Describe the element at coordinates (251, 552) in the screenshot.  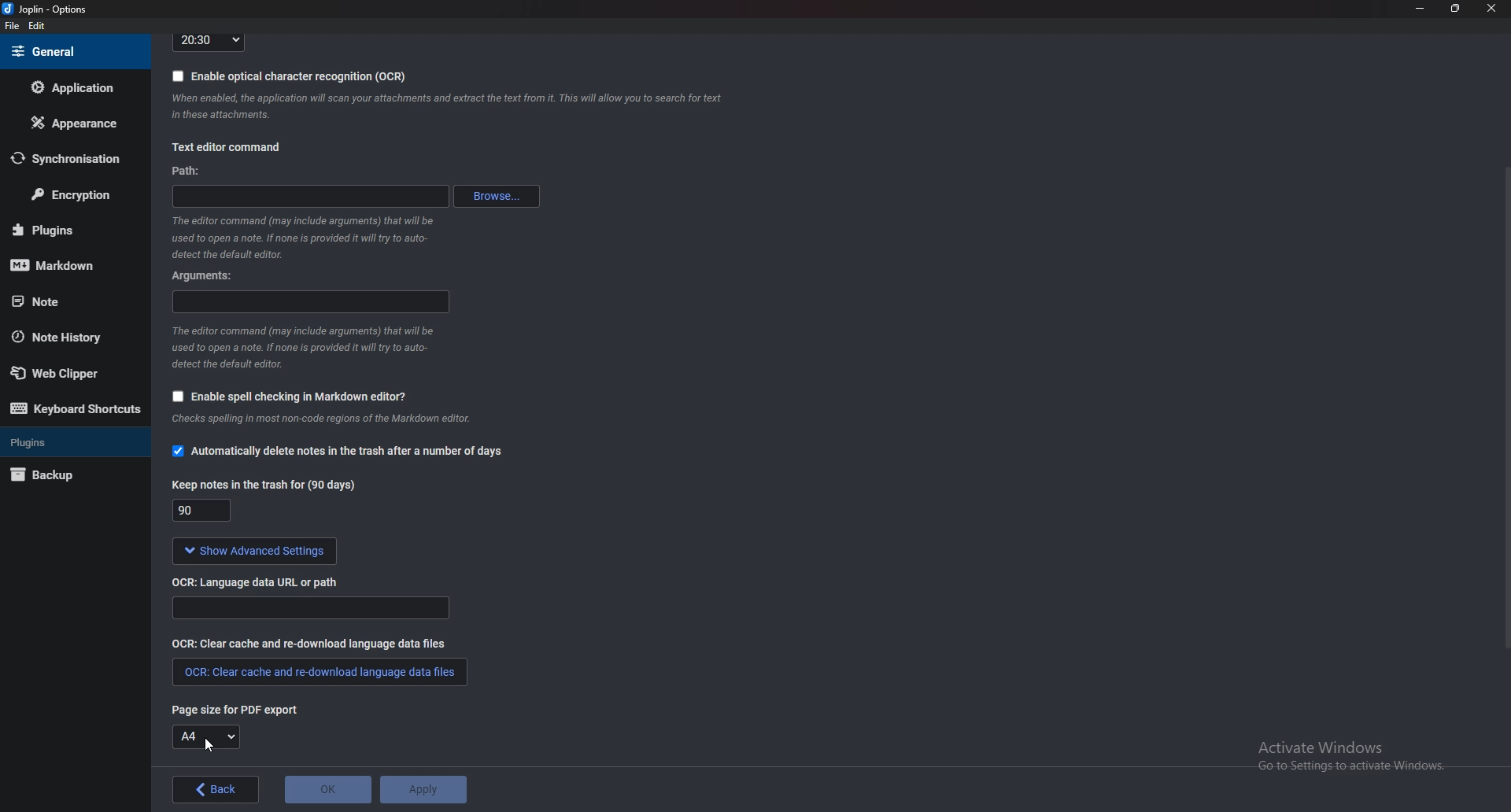
I see `show advanced settings` at that location.